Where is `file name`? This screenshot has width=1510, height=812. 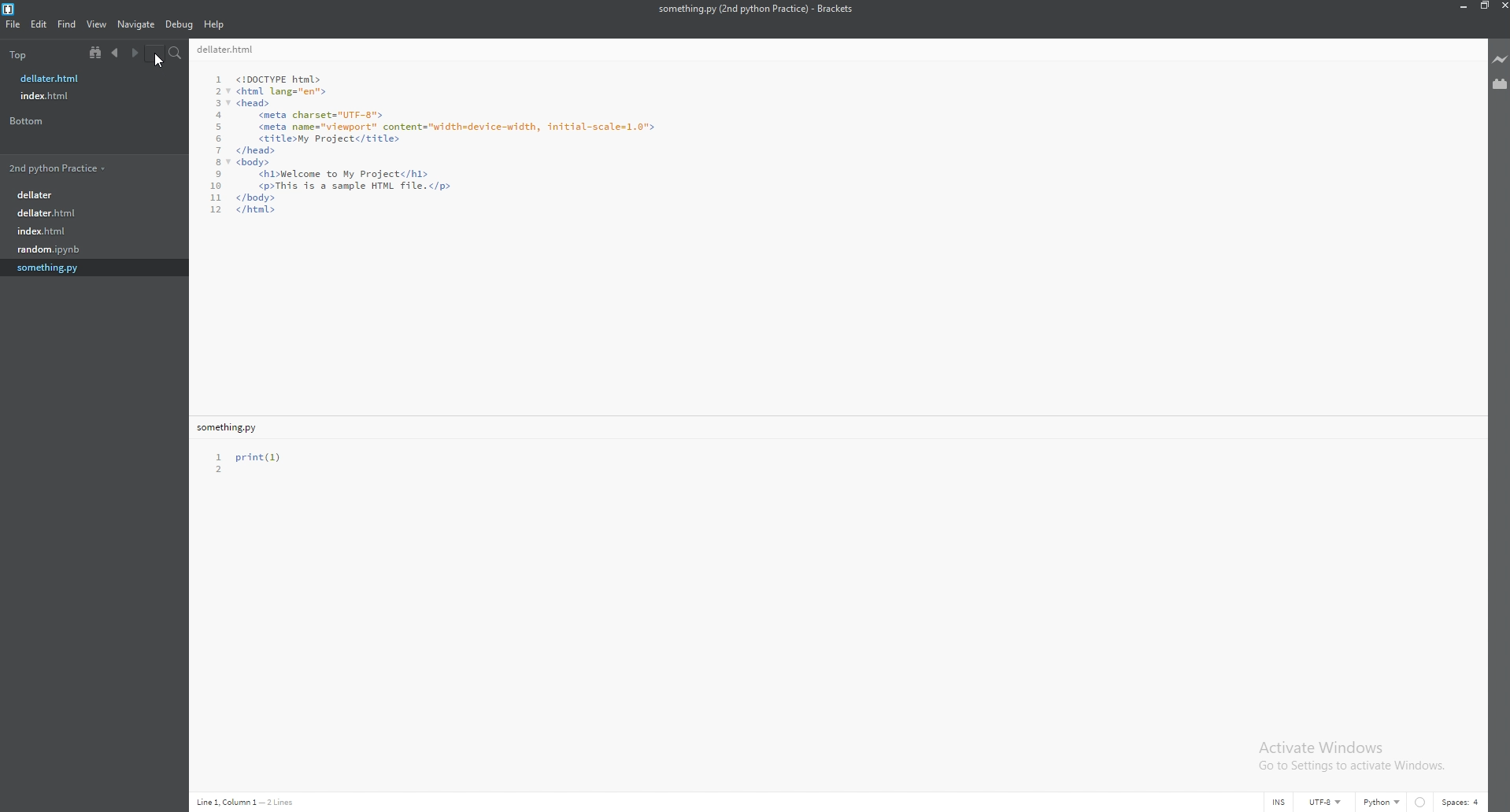
file name is located at coordinates (756, 9).